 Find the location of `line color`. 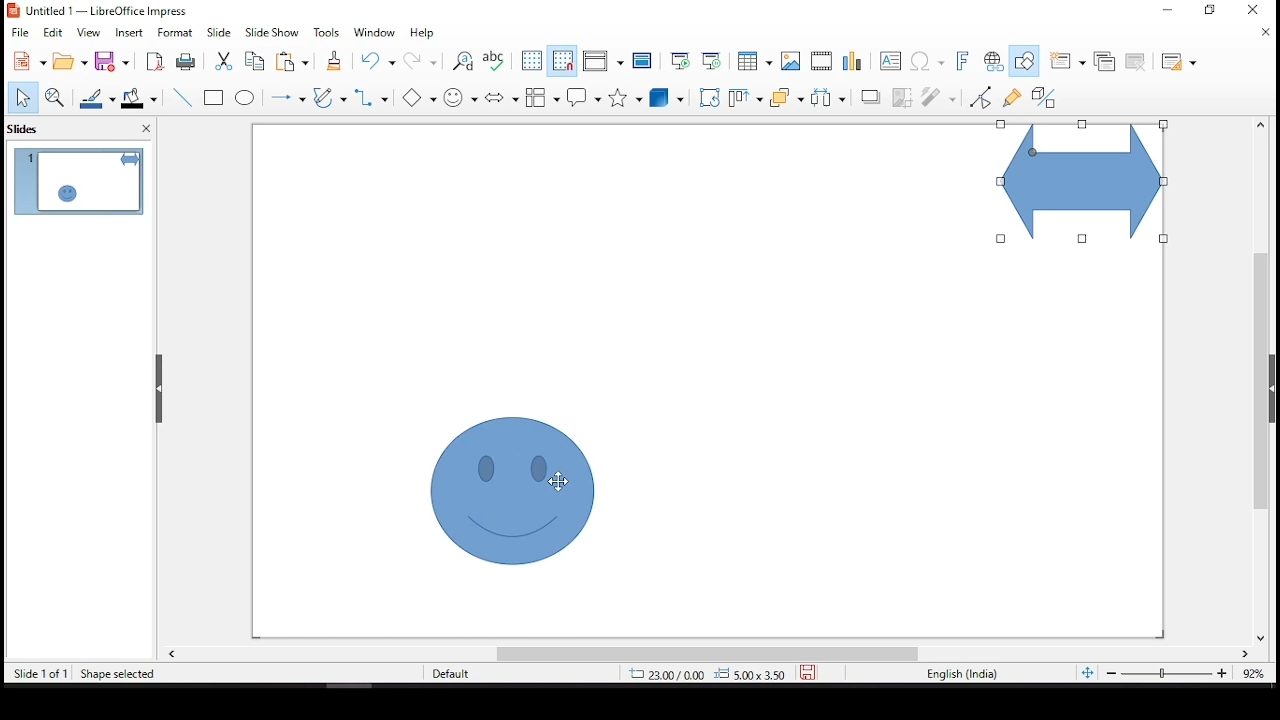

line color is located at coordinates (99, 98).